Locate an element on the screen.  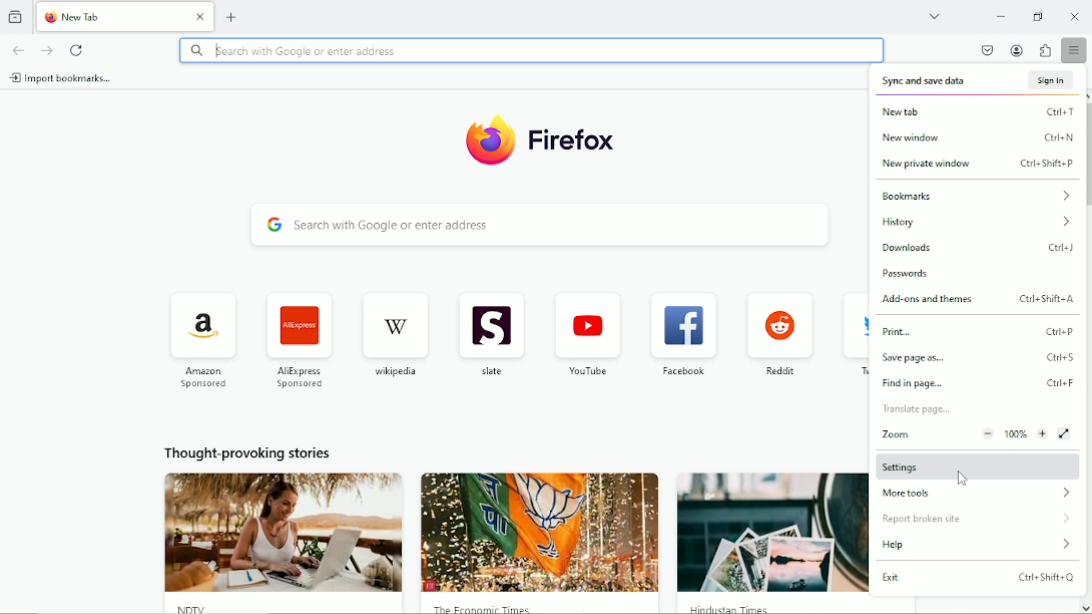
facebook is located at coordinates (682, 372).